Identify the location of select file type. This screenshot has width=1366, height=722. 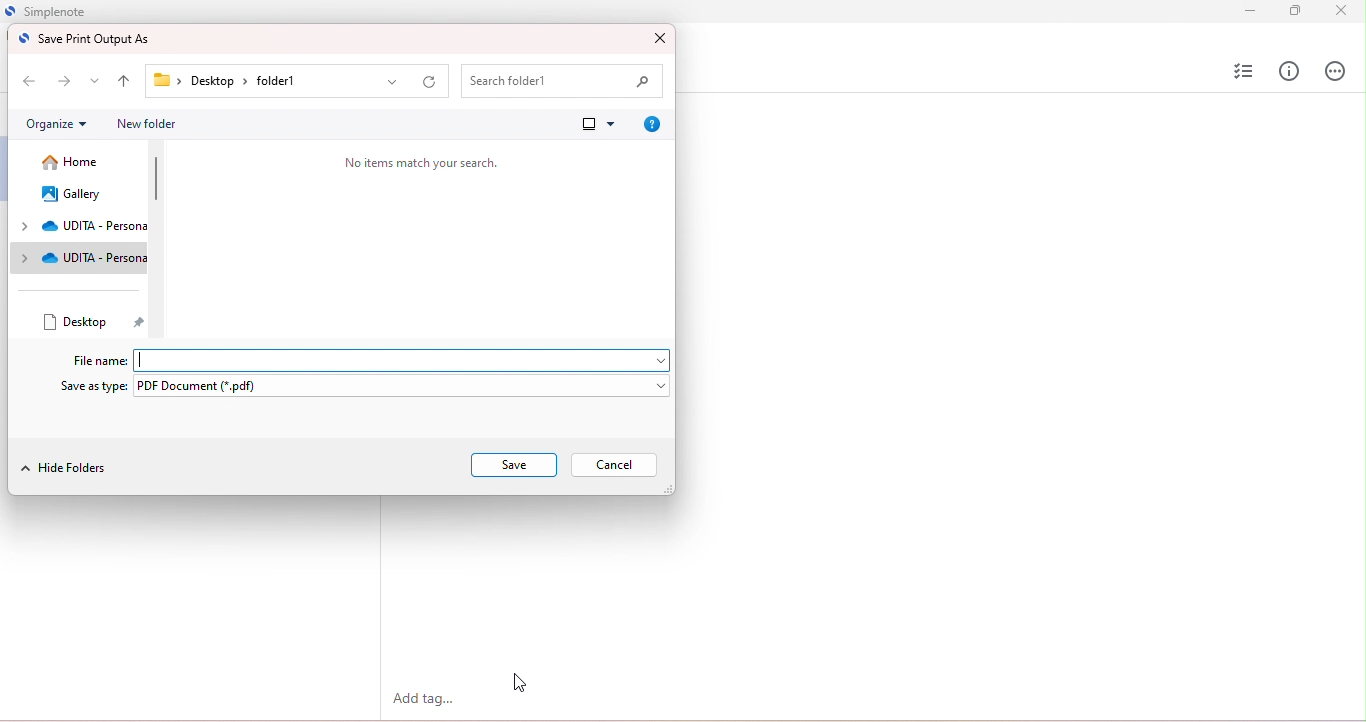
(406, 387).